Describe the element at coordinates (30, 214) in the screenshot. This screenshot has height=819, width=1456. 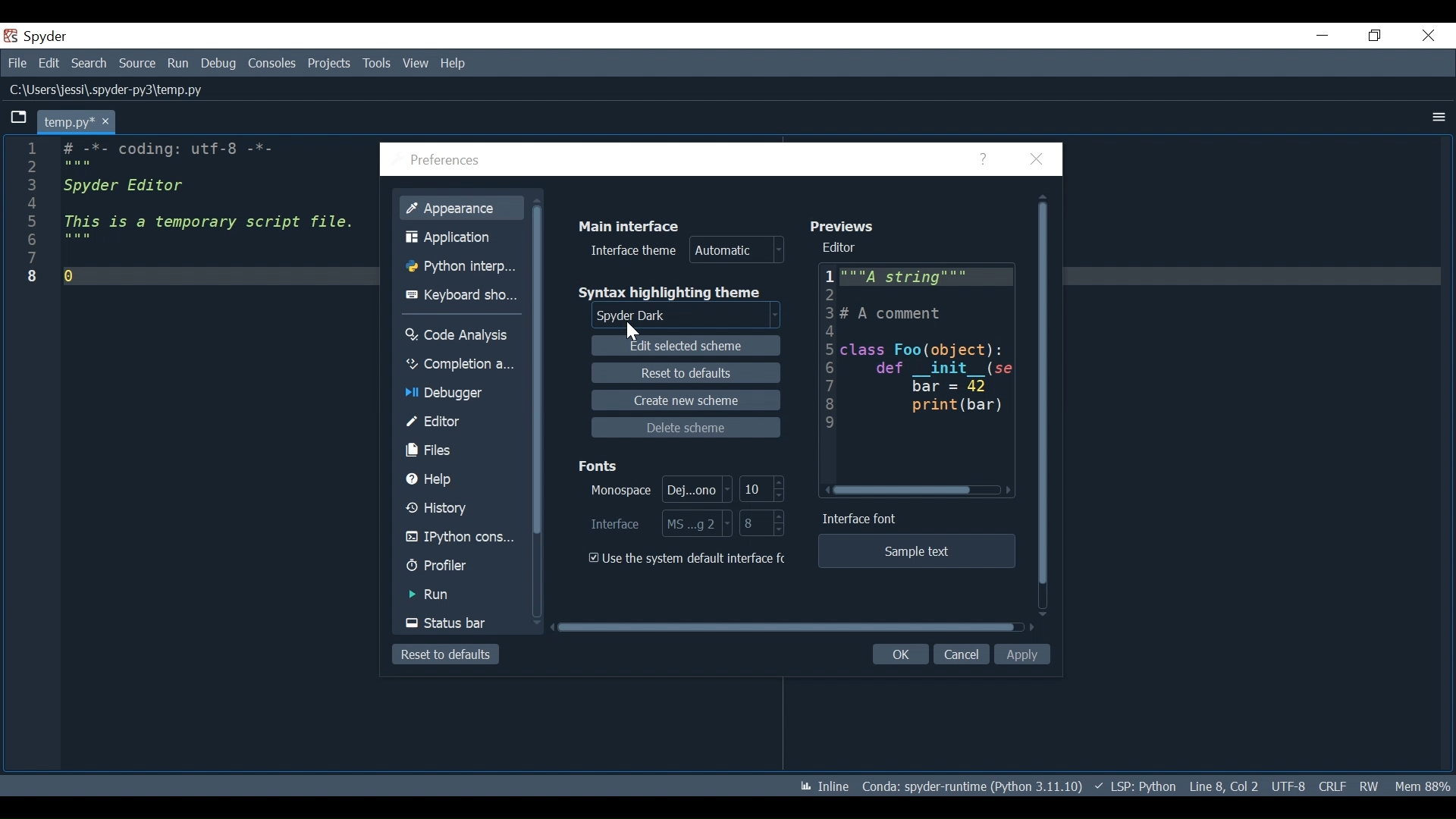
I see `line numbers` at that location.